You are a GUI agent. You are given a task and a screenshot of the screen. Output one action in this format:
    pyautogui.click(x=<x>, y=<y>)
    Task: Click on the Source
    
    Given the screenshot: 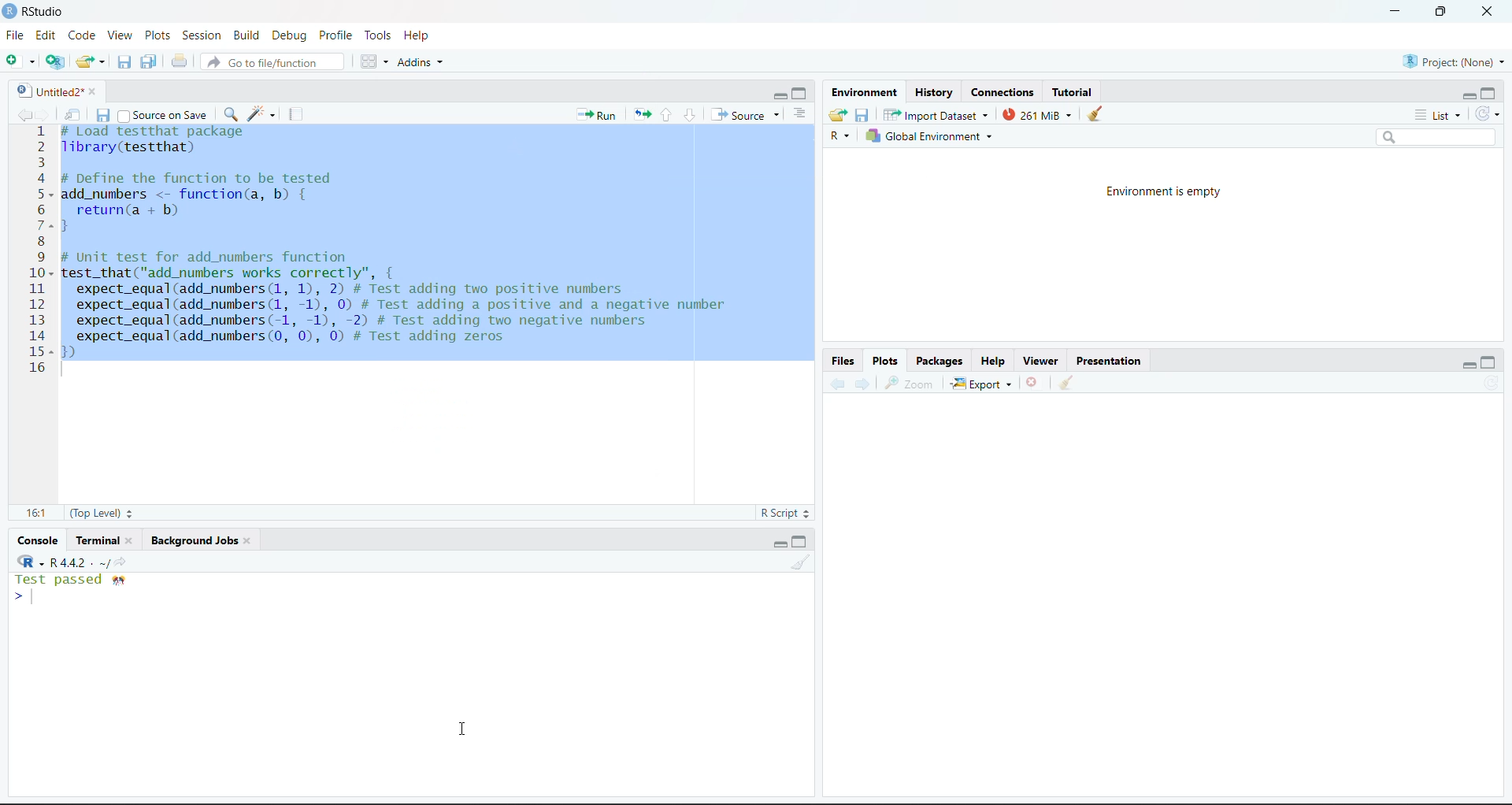 What is the action you would take?
    pyautogui.click(x=747, y=113)
    